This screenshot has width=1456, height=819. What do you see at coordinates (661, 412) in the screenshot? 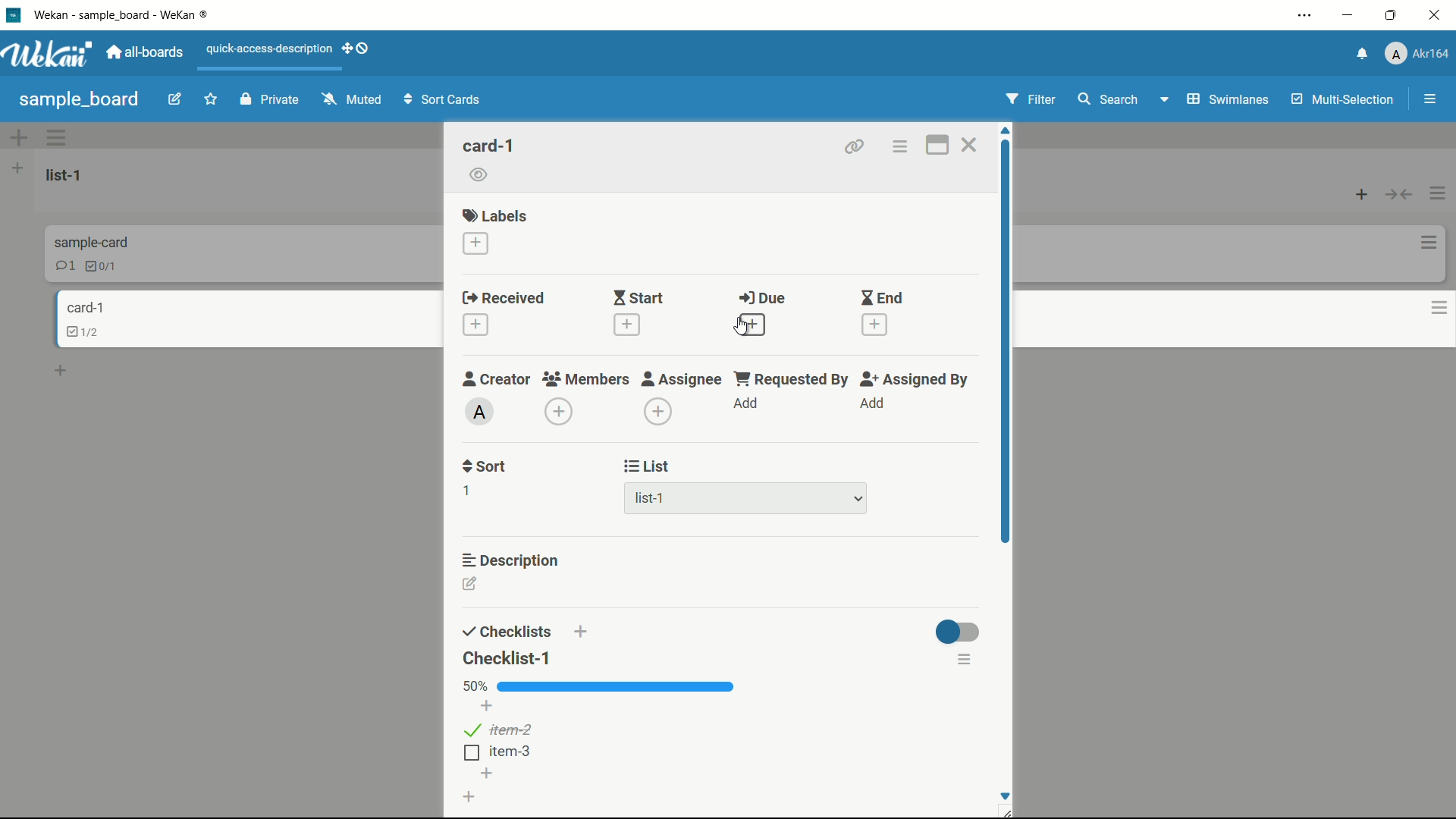
I see `add assignee` at bounding box center [661, 412].